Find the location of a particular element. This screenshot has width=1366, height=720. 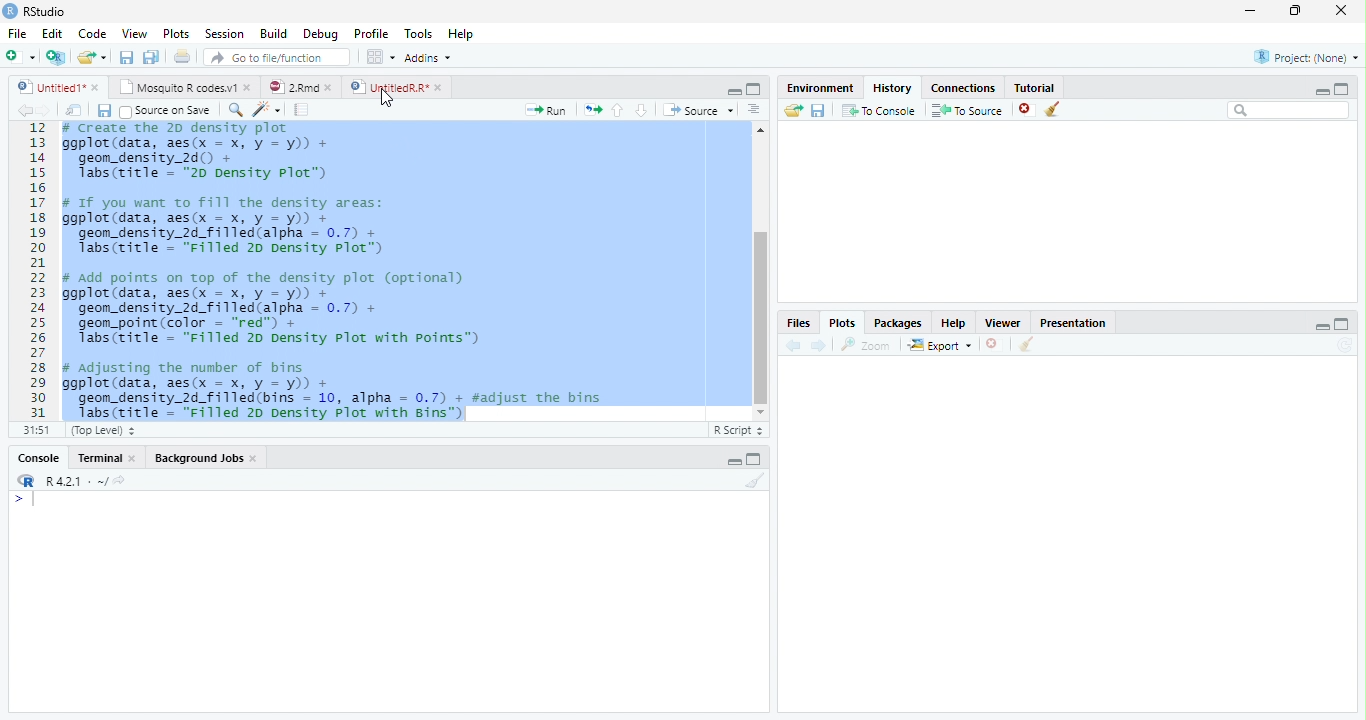

maximize is located at coordinates (1344, 323).